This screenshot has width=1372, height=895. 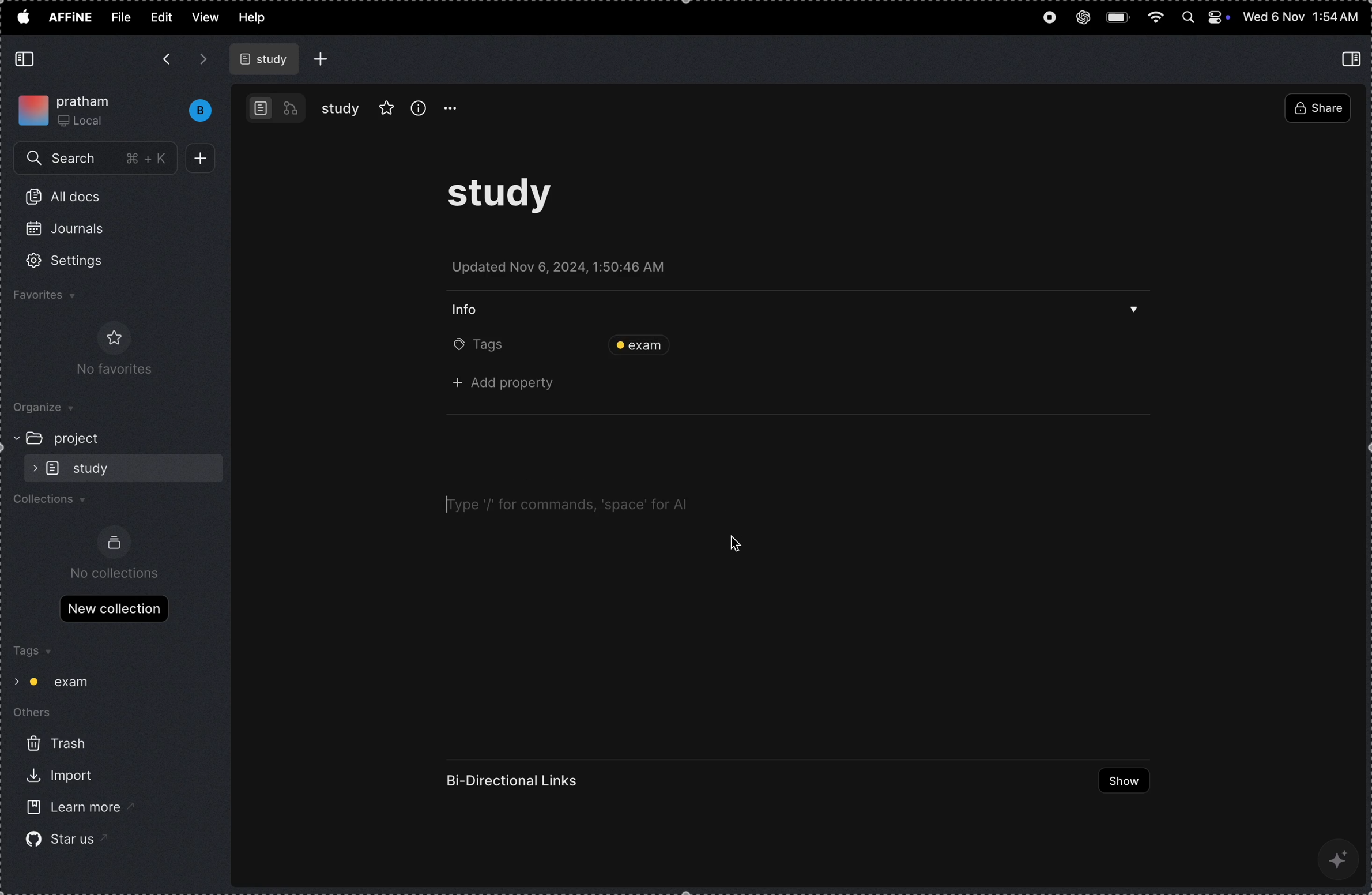 I want to click on chat gpt, so click(x=1083, y=14).